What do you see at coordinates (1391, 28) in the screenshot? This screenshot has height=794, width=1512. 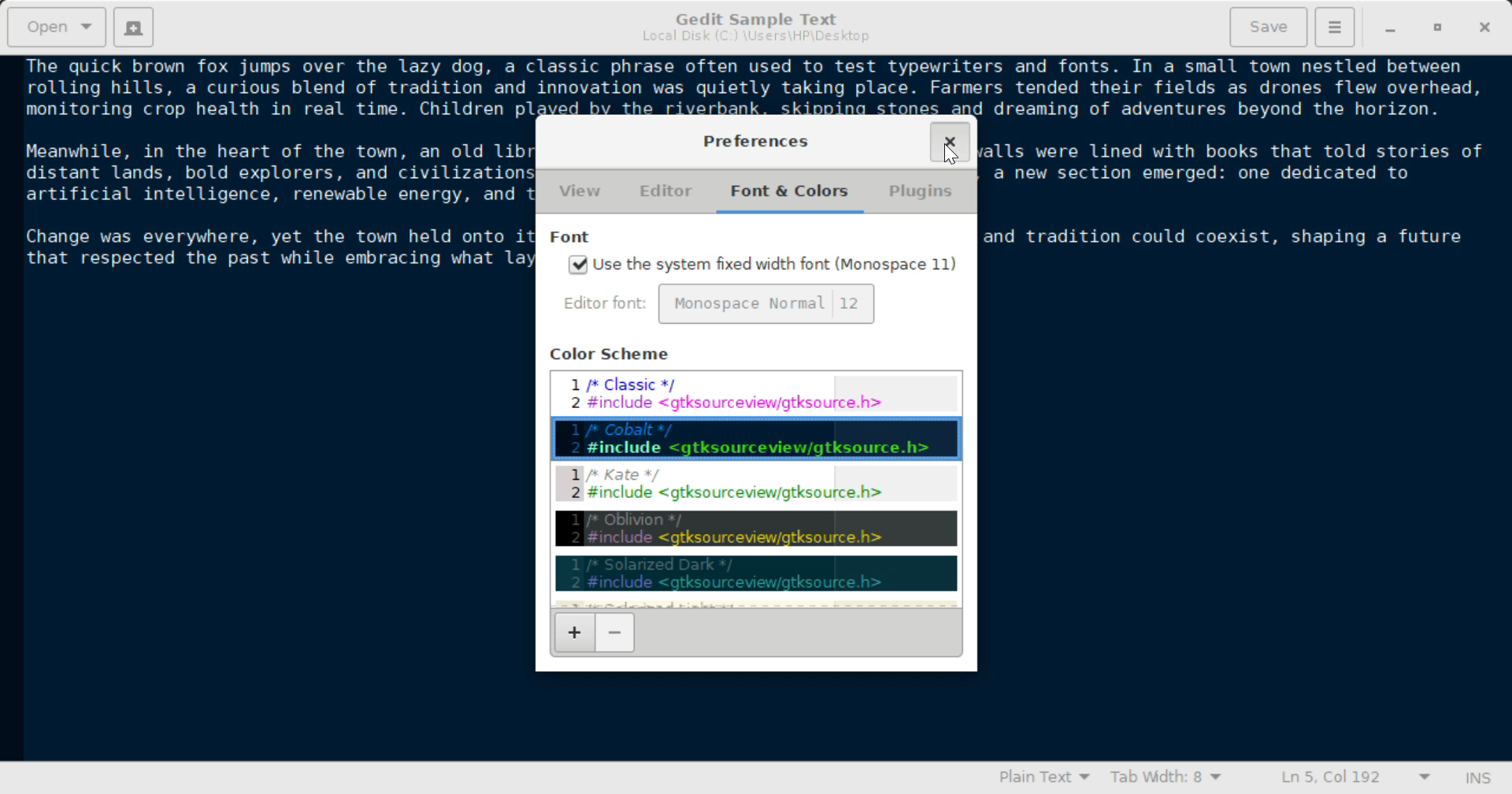 I see `Restore Down ` at bounding box center [1391, 28].